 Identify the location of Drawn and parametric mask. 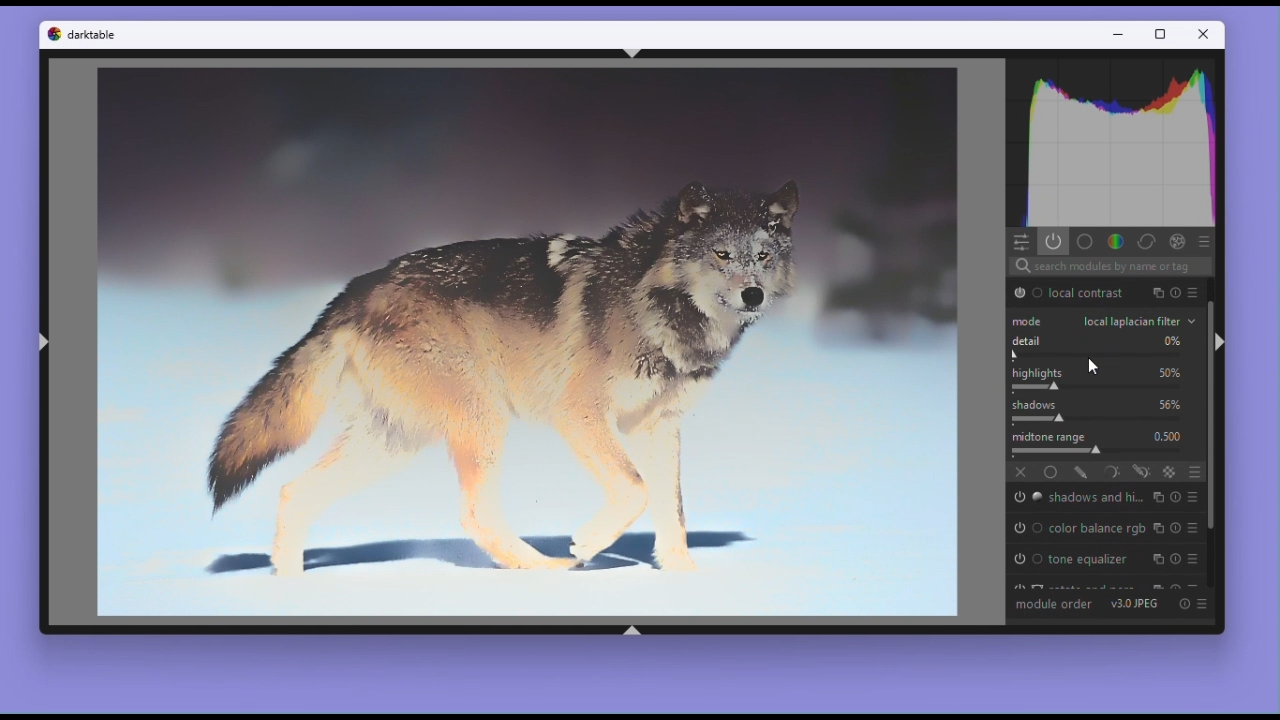
(1143, 472).